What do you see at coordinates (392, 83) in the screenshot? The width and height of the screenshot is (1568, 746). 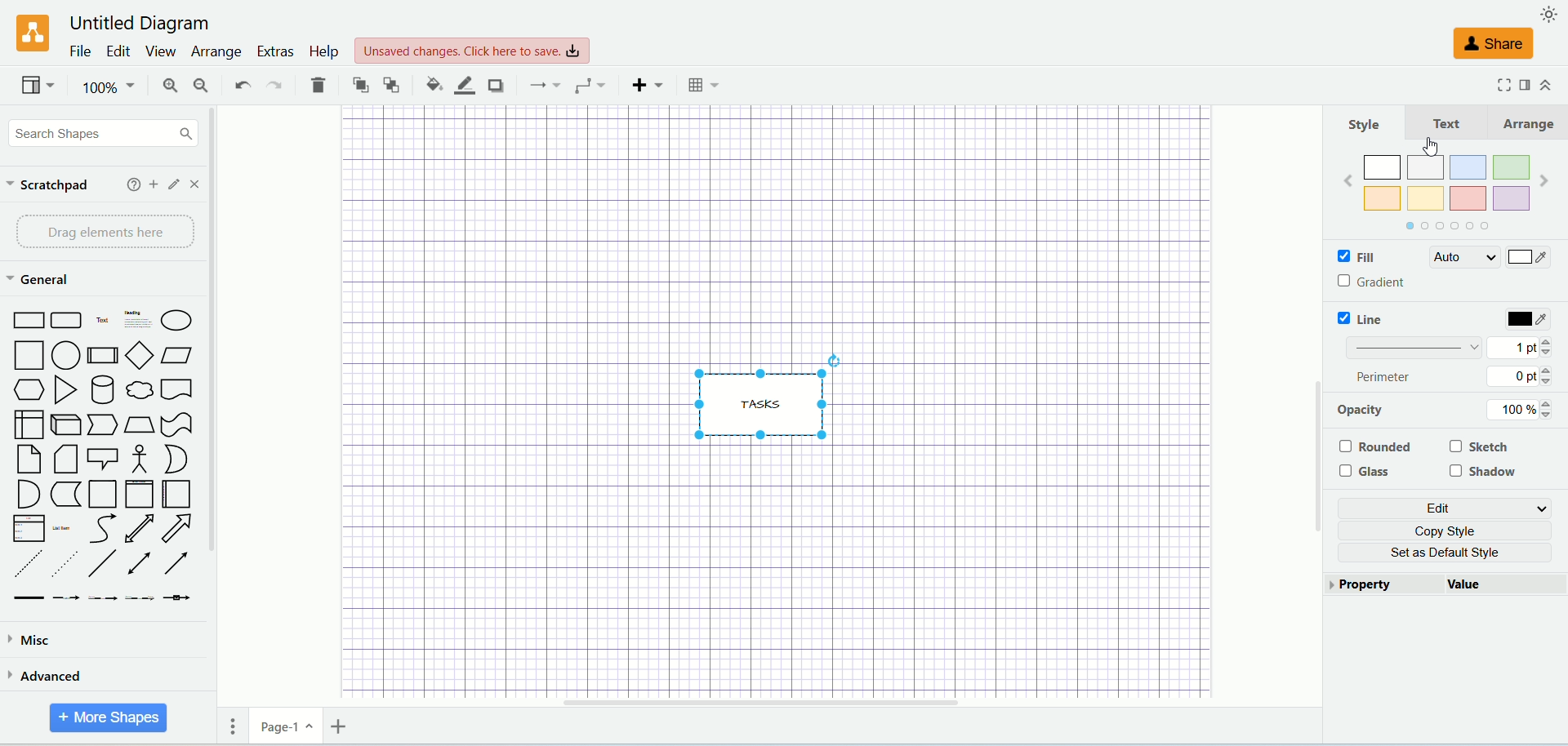 I see `to back` at bounding box center [392, 83].